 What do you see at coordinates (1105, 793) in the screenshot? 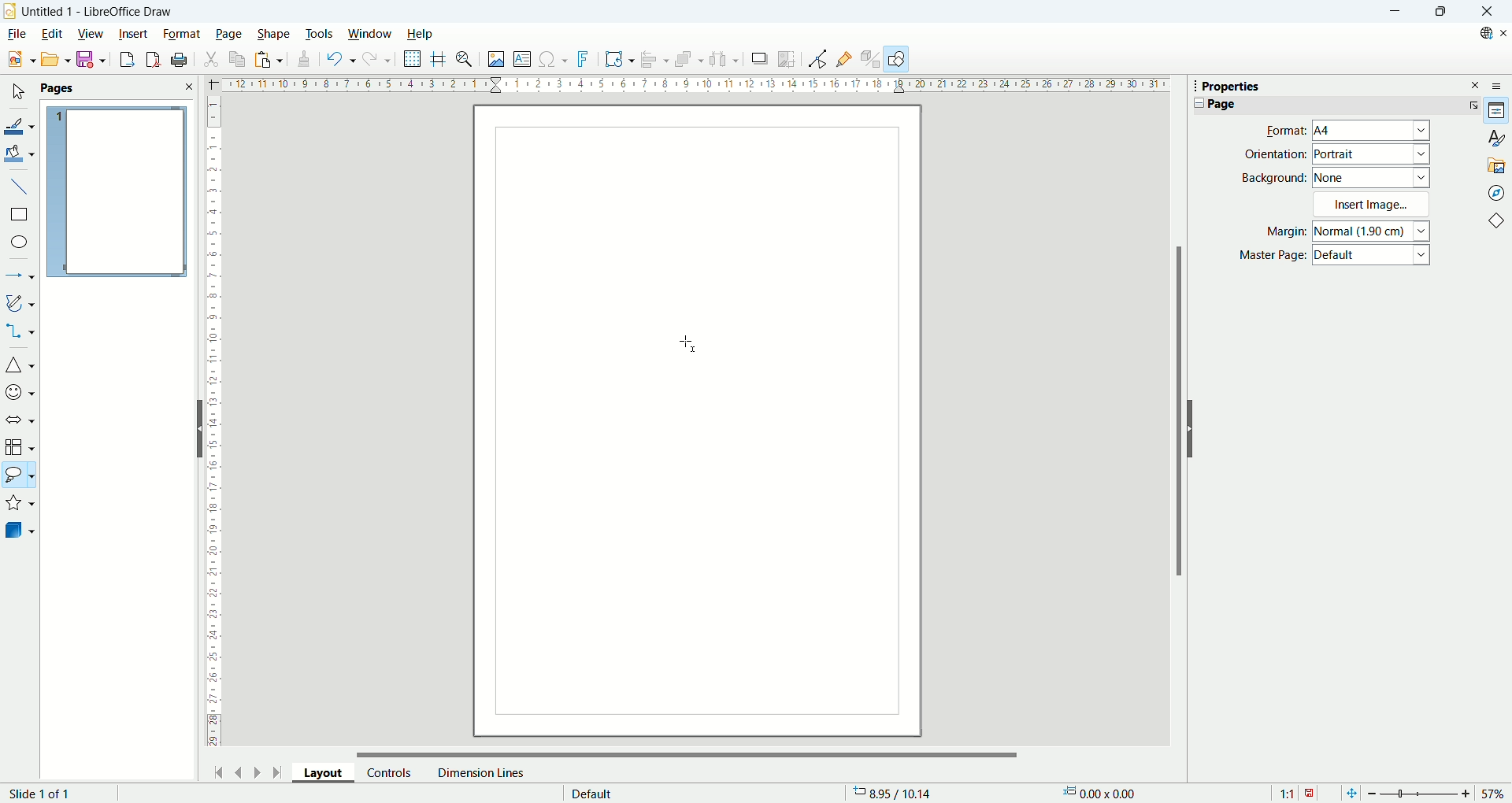
I see `dimensions` at bounding box center [1105, 793].